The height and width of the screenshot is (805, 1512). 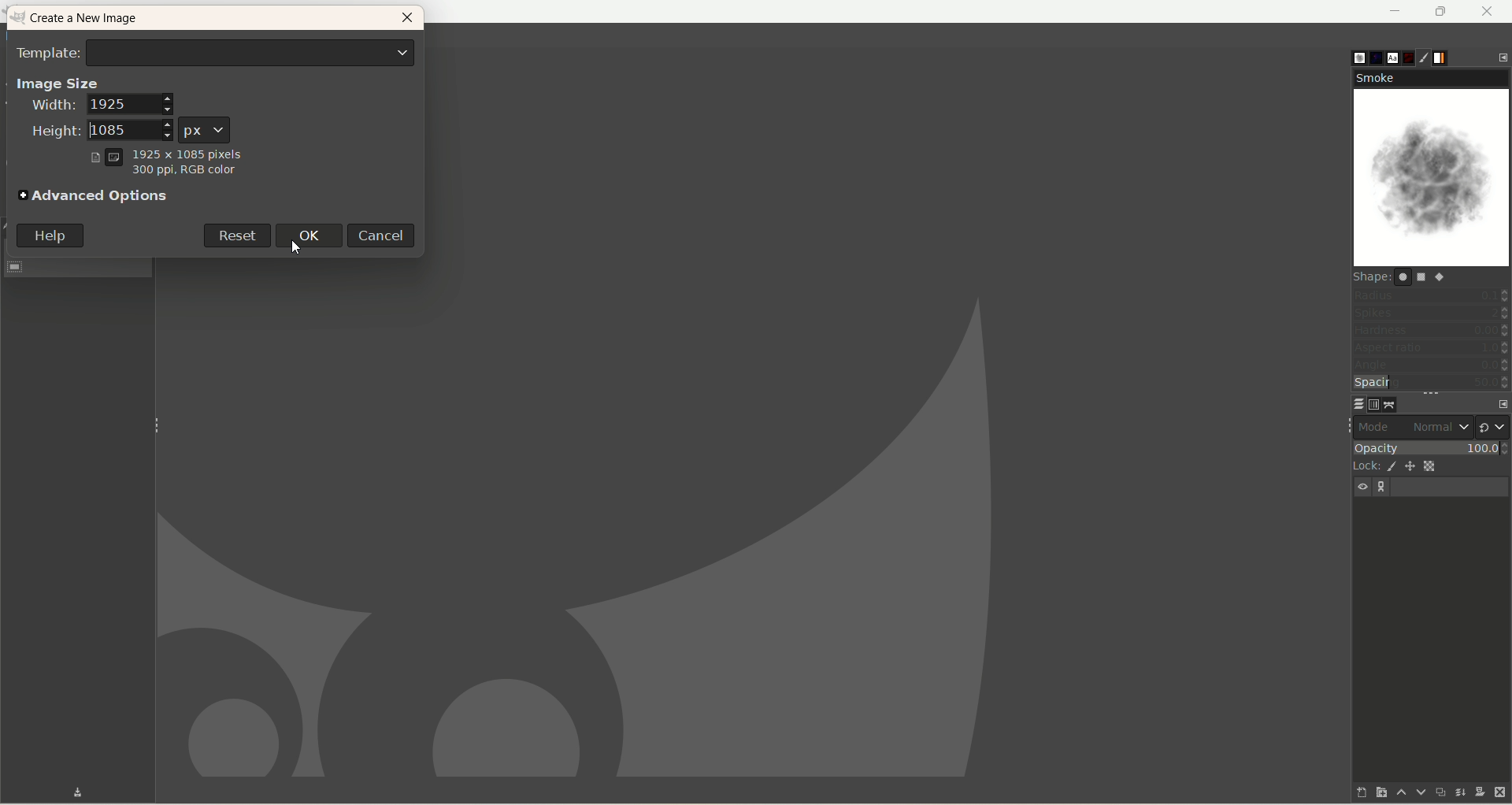 I want to click on lock alpha channel, so click(x=1436, y=466).